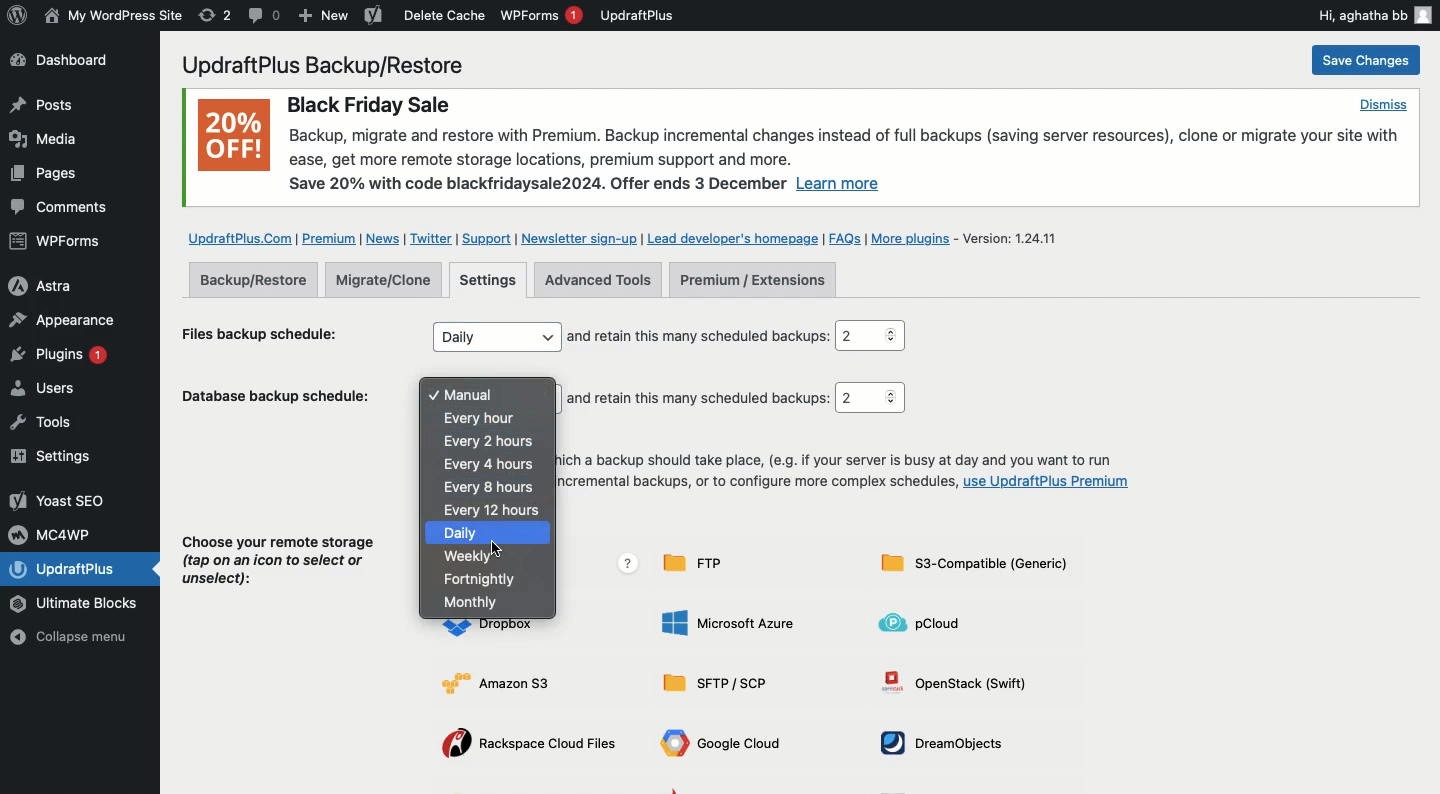 This screenshot has width=1440, height=794. Describe the element at coordinates (60, 500) in the screenshot. I see `Yoast SEO` at that location.